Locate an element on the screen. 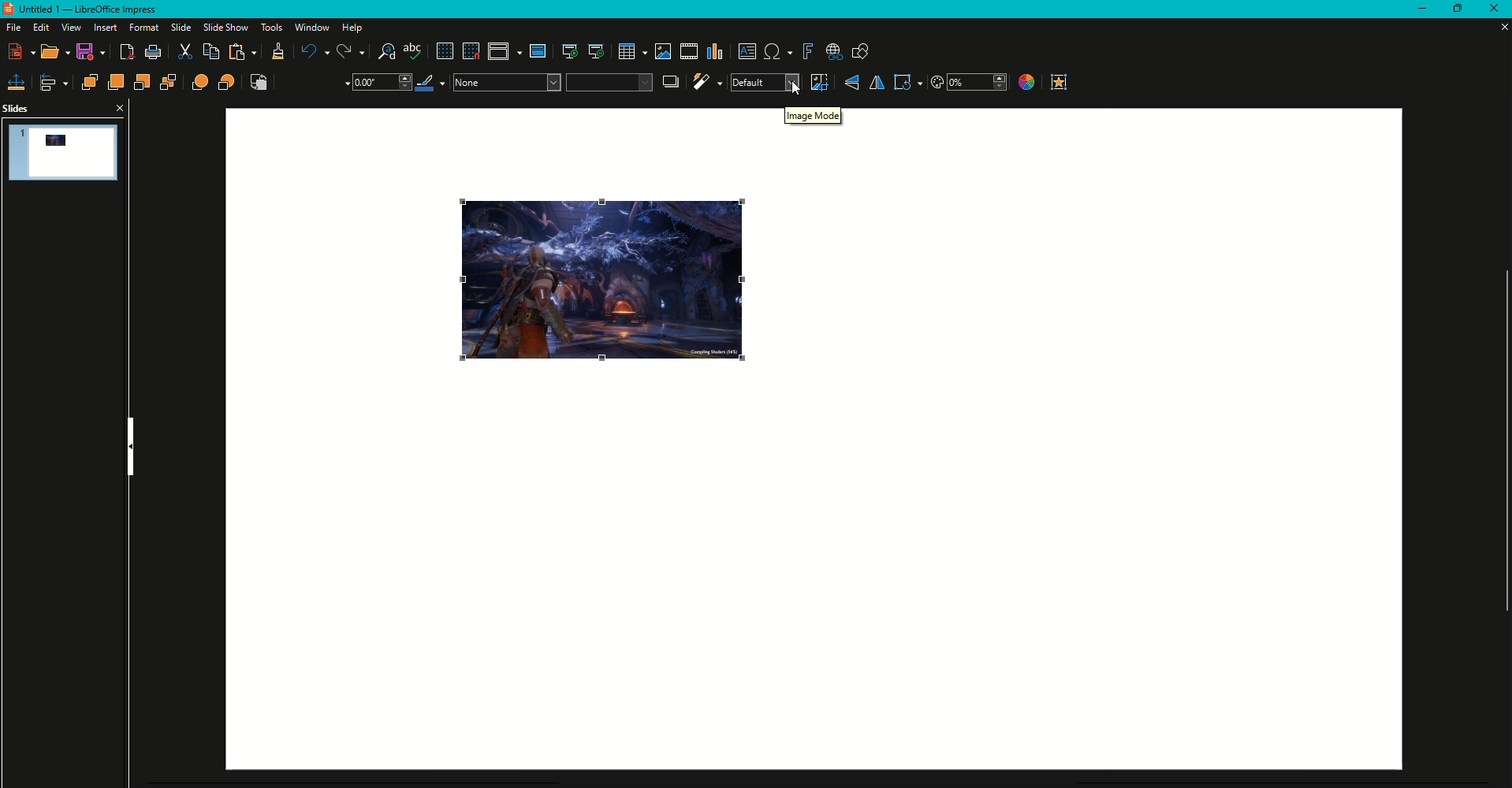 This screenshot has width=1512, height=788. Display Views is located at coordinates (505, 54).